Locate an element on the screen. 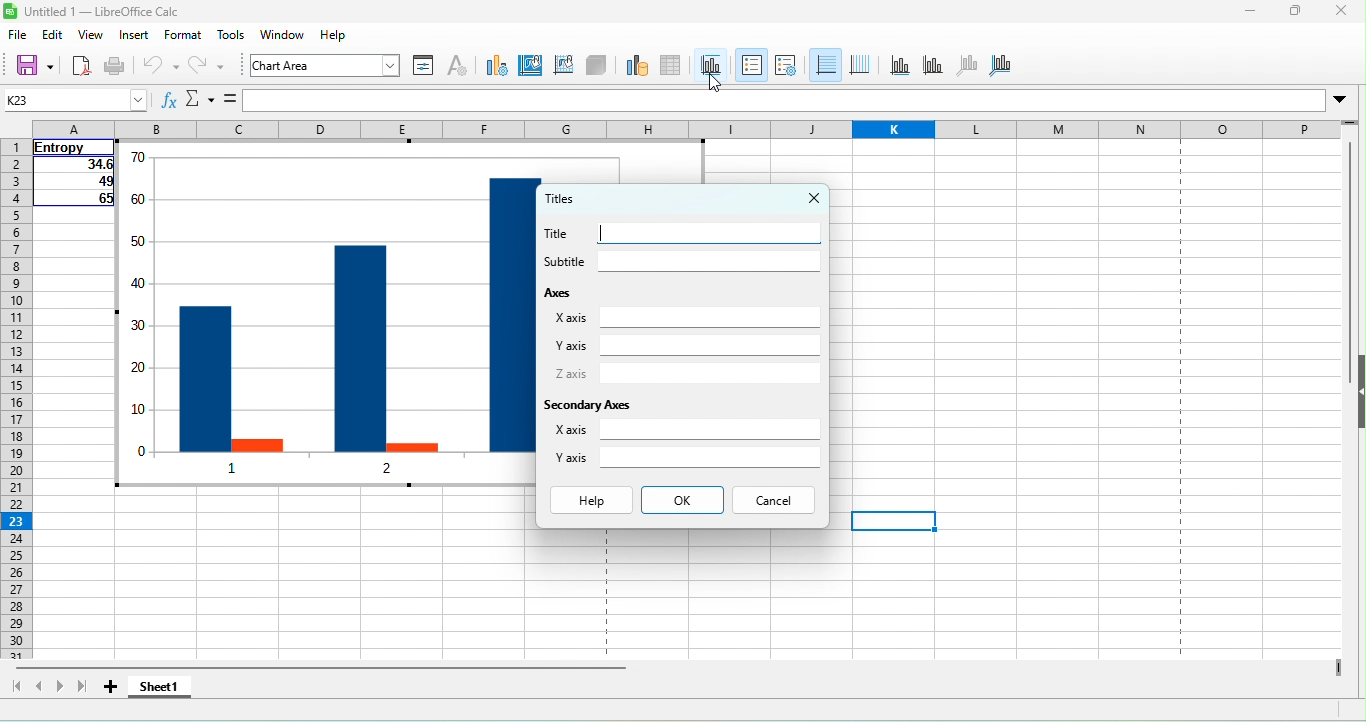 The width and height of the screenshot is (1366, 722). function wizard is located at coordinates (169, 101).